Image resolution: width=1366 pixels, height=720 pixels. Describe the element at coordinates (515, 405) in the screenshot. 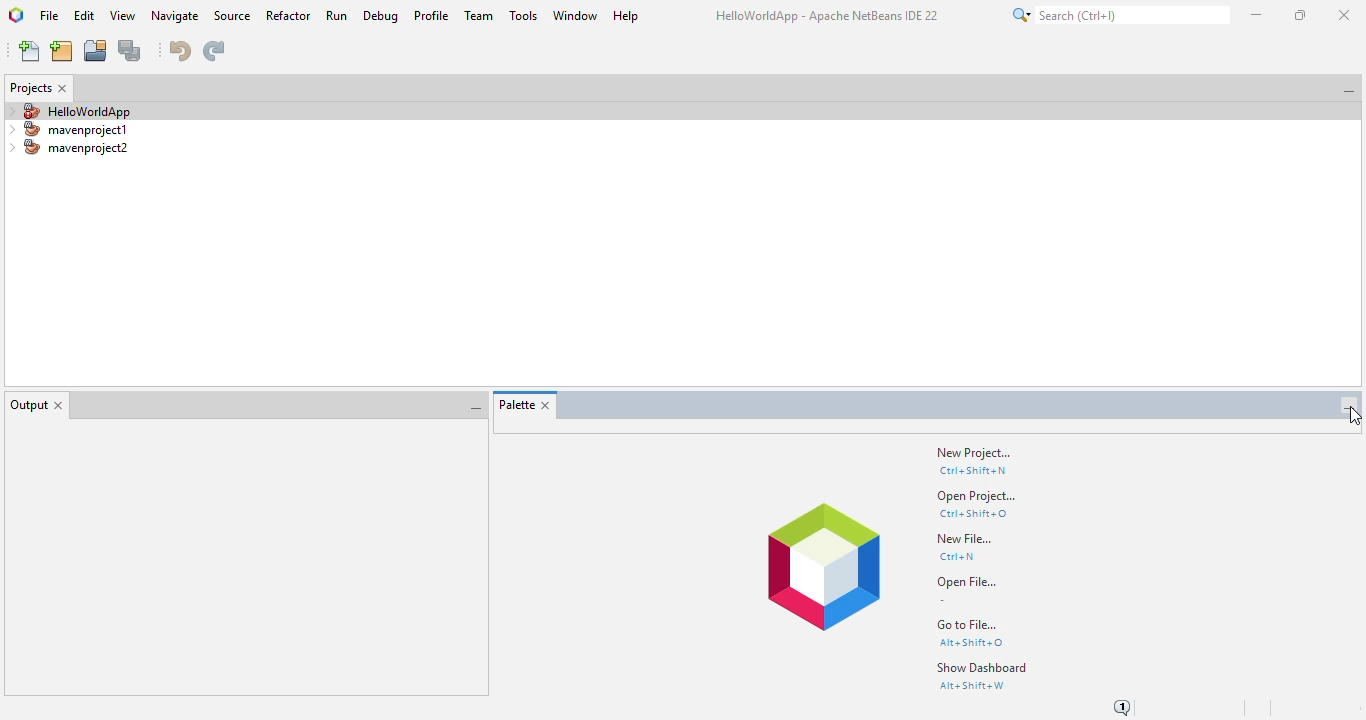

I see `palette` at that location.